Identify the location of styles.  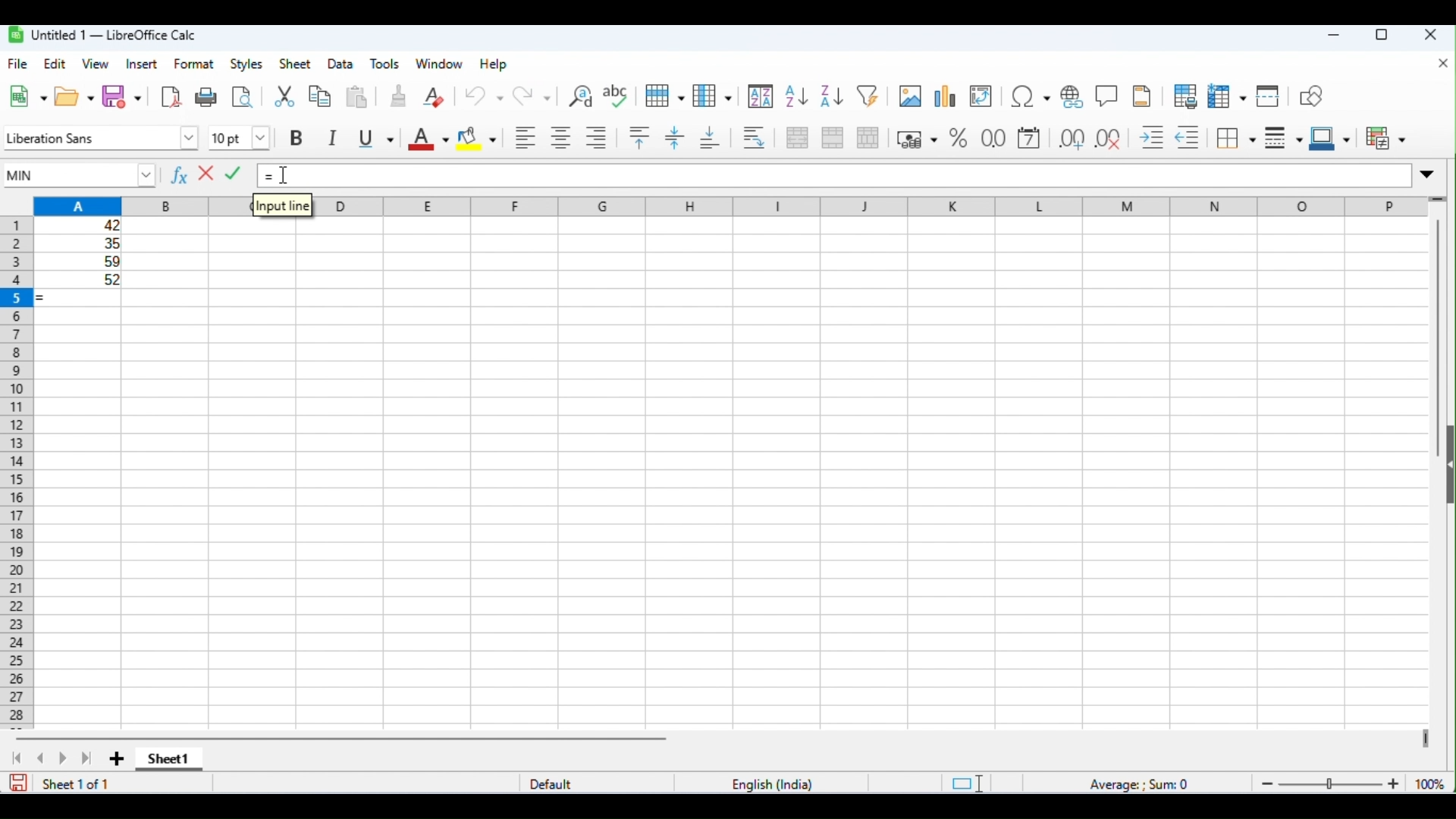
(246, 64).